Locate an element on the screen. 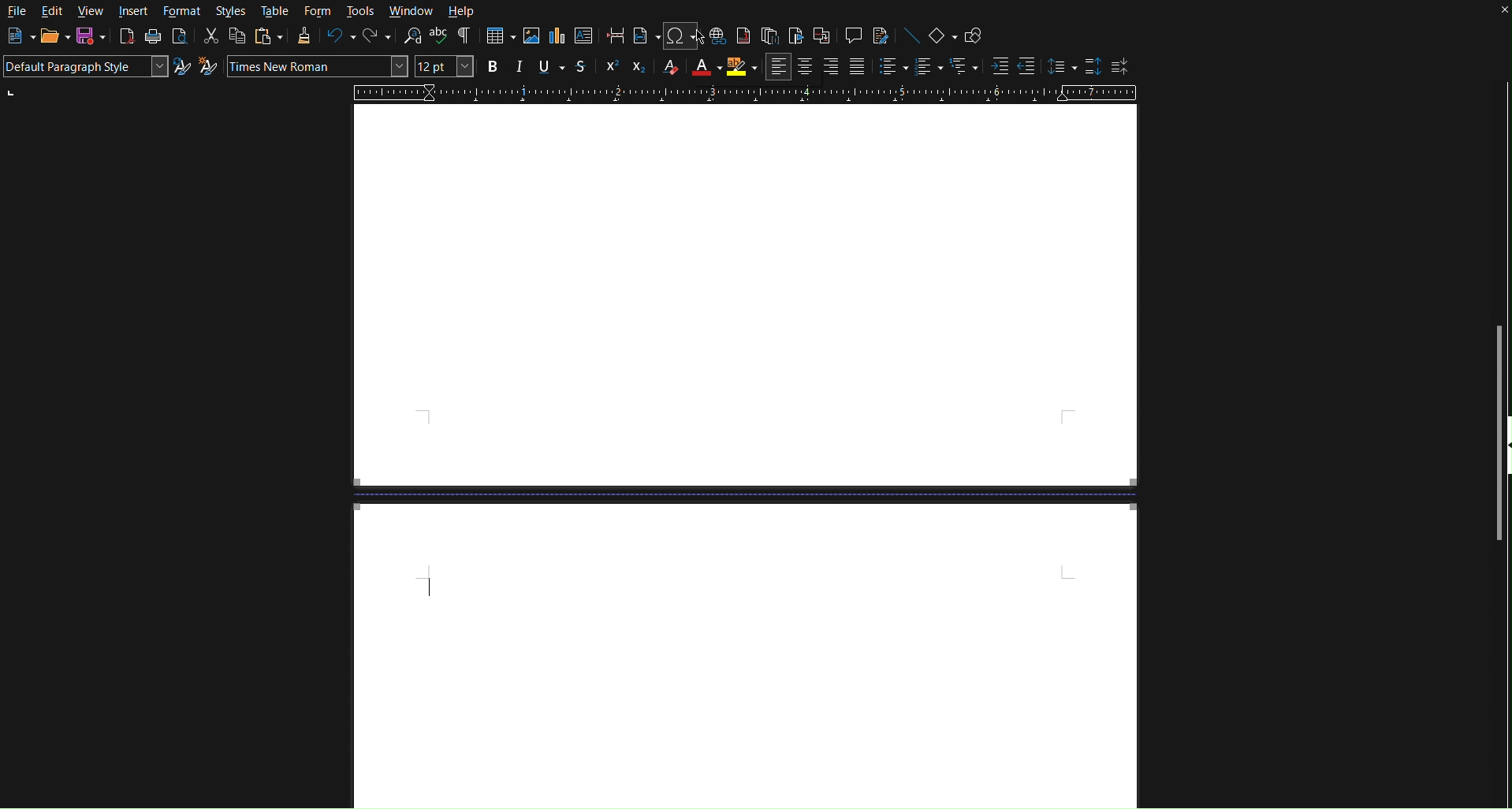 The width and height of the screenshot is (1512, 809). Align Center is located at coordinates (806, 67).